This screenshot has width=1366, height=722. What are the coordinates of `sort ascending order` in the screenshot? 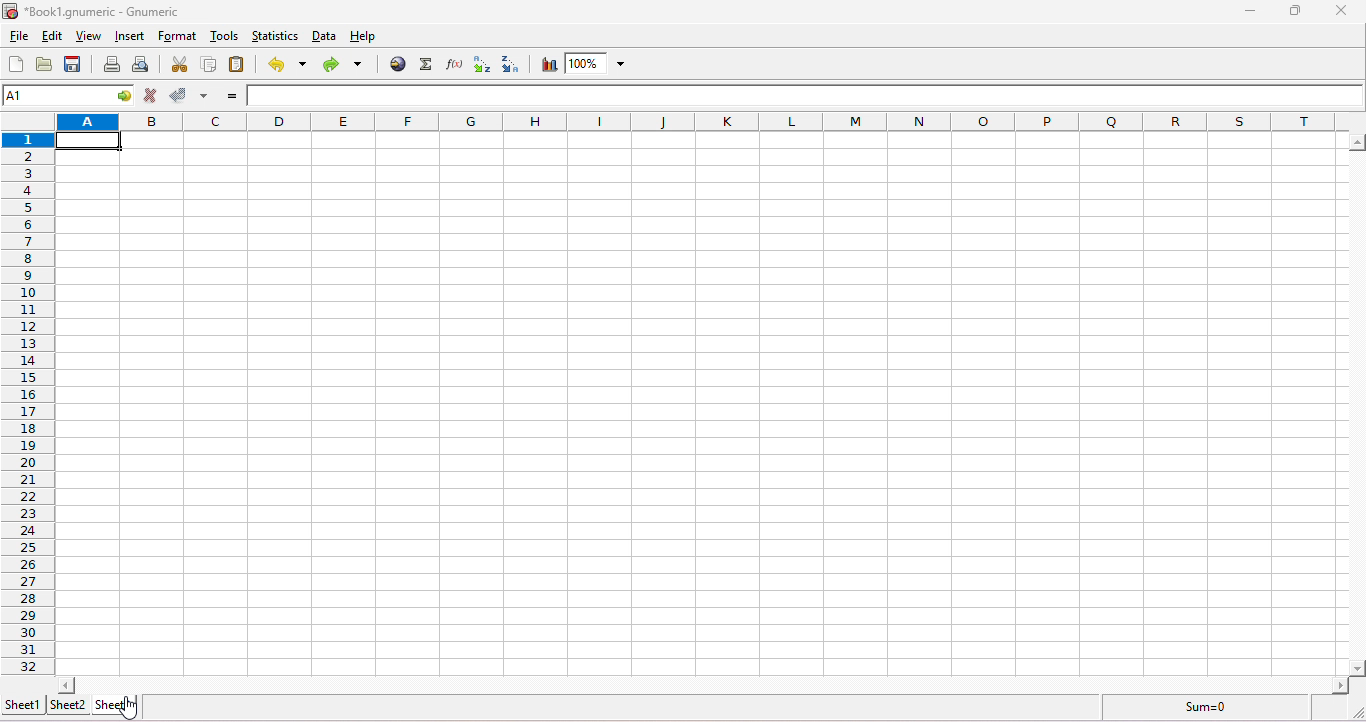 It's located at (479, 63).